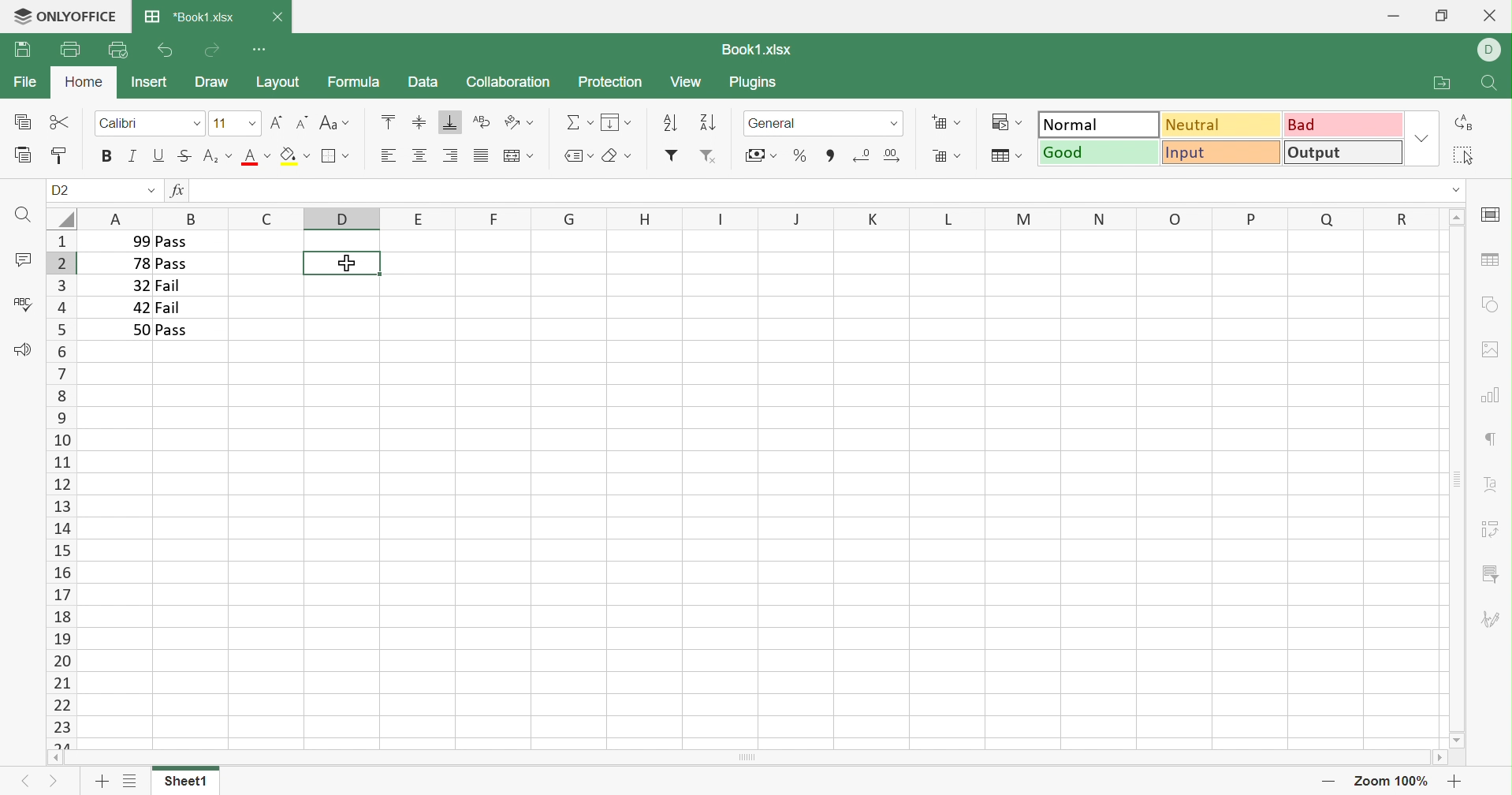 This screenshot has height=795, width=1512. I want to click on Text art settings, so click(1492, 484).